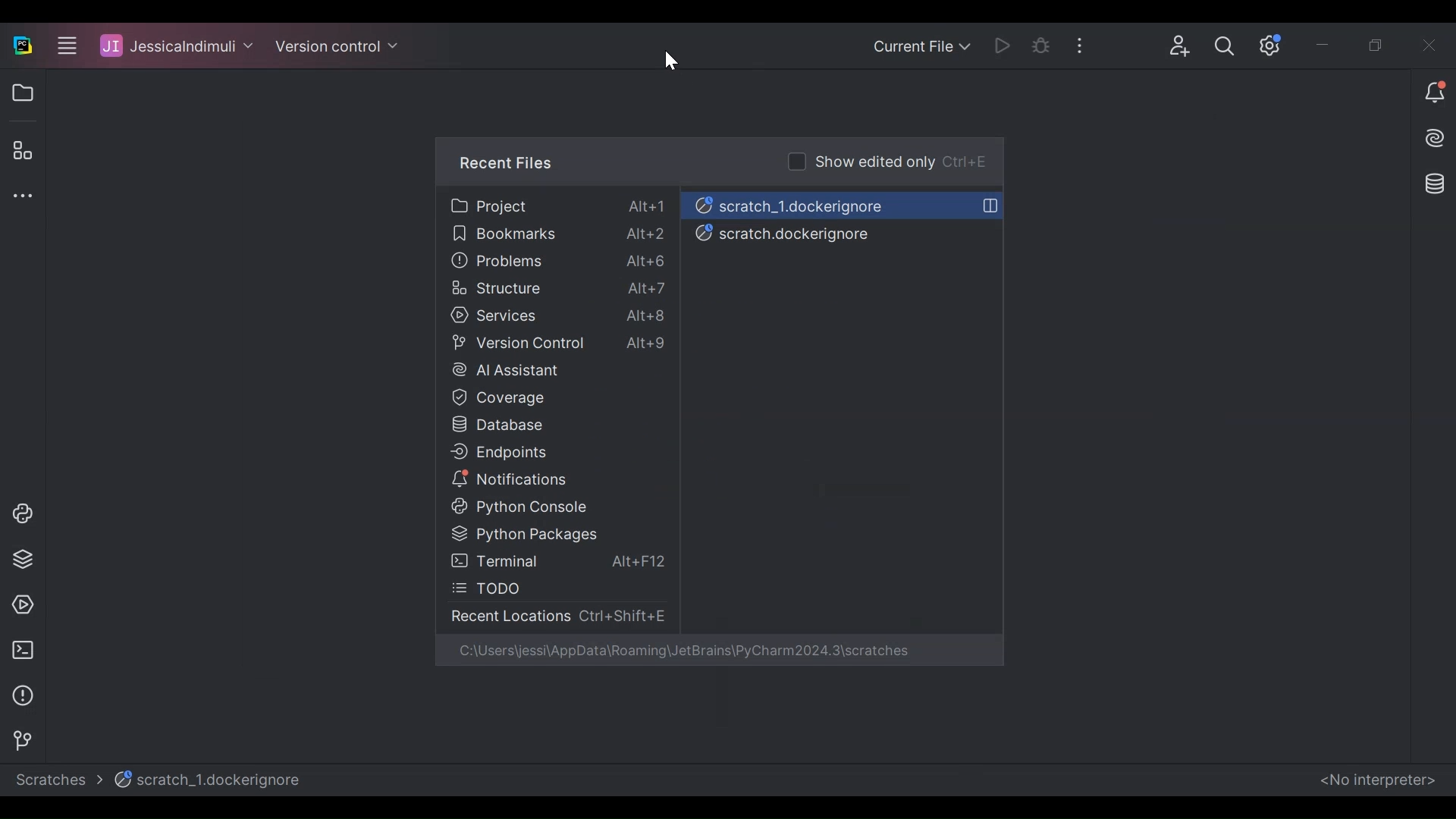  Describe the element at coordinates (923, 47) in the screenshot. I see `Current file` at that location.